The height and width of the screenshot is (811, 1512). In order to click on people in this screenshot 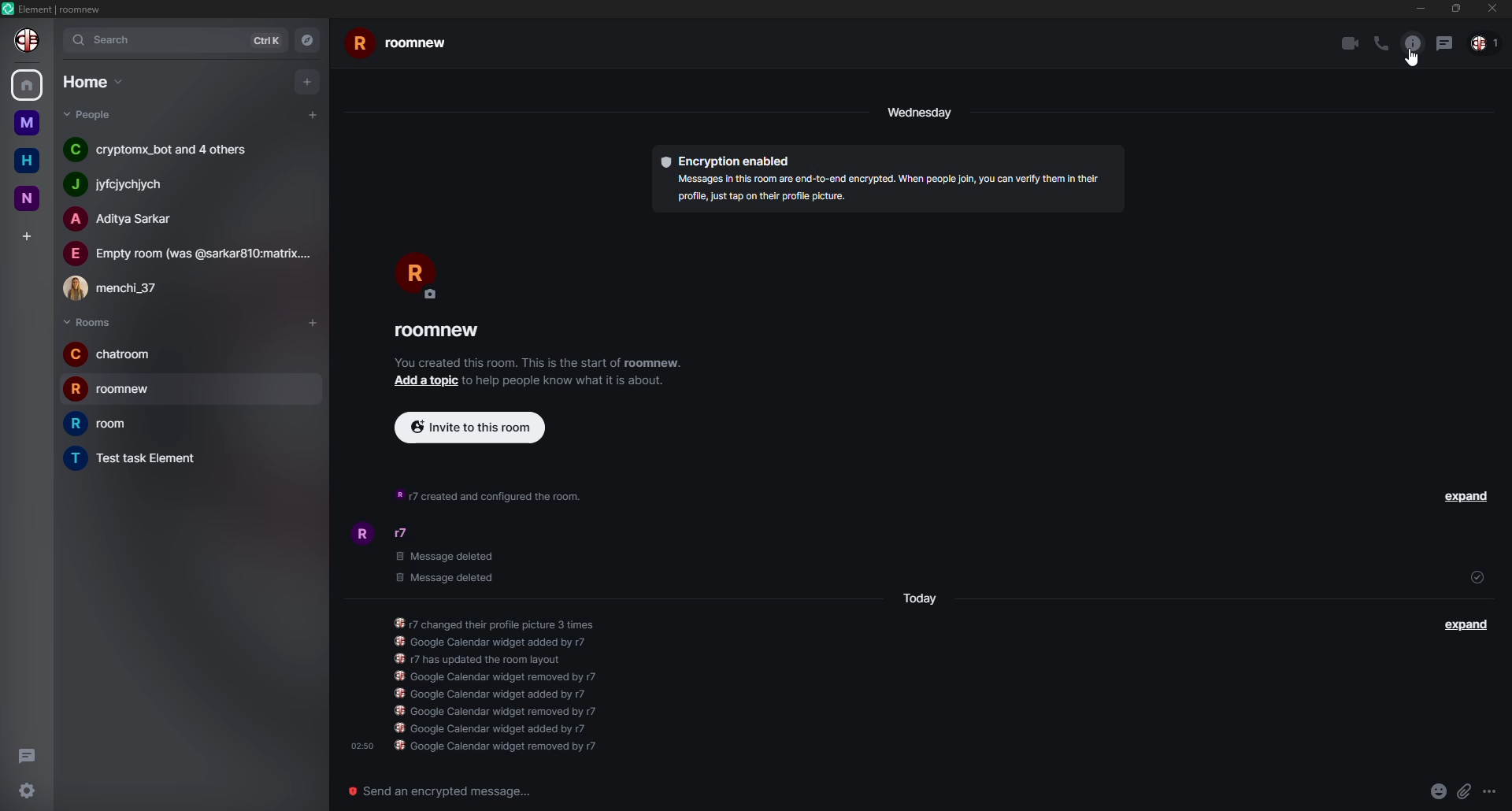, I will do `click(161, 150)`.